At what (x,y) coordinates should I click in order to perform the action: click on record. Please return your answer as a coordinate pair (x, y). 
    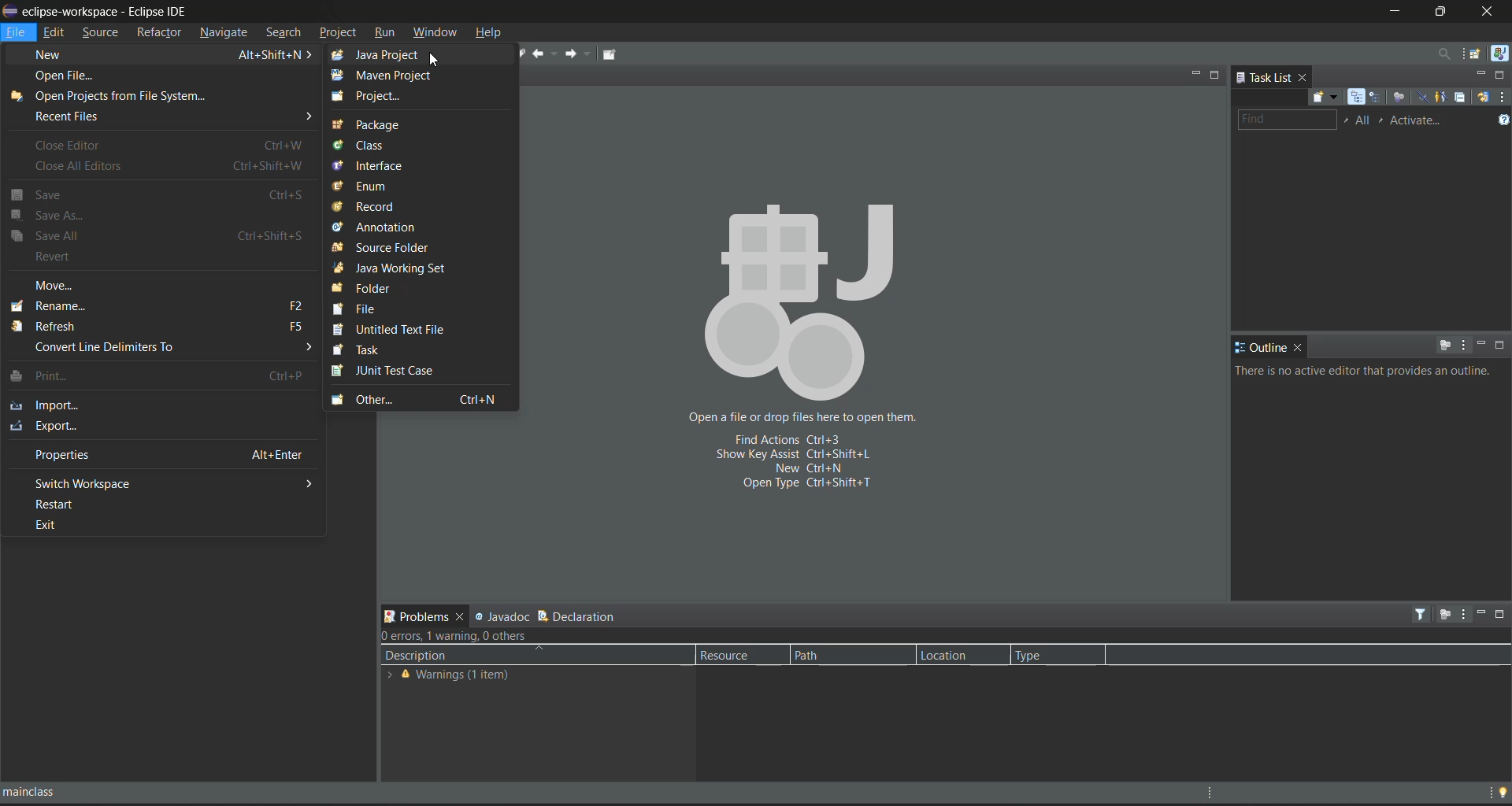
    Looking at the image, I should click on (374, 206).